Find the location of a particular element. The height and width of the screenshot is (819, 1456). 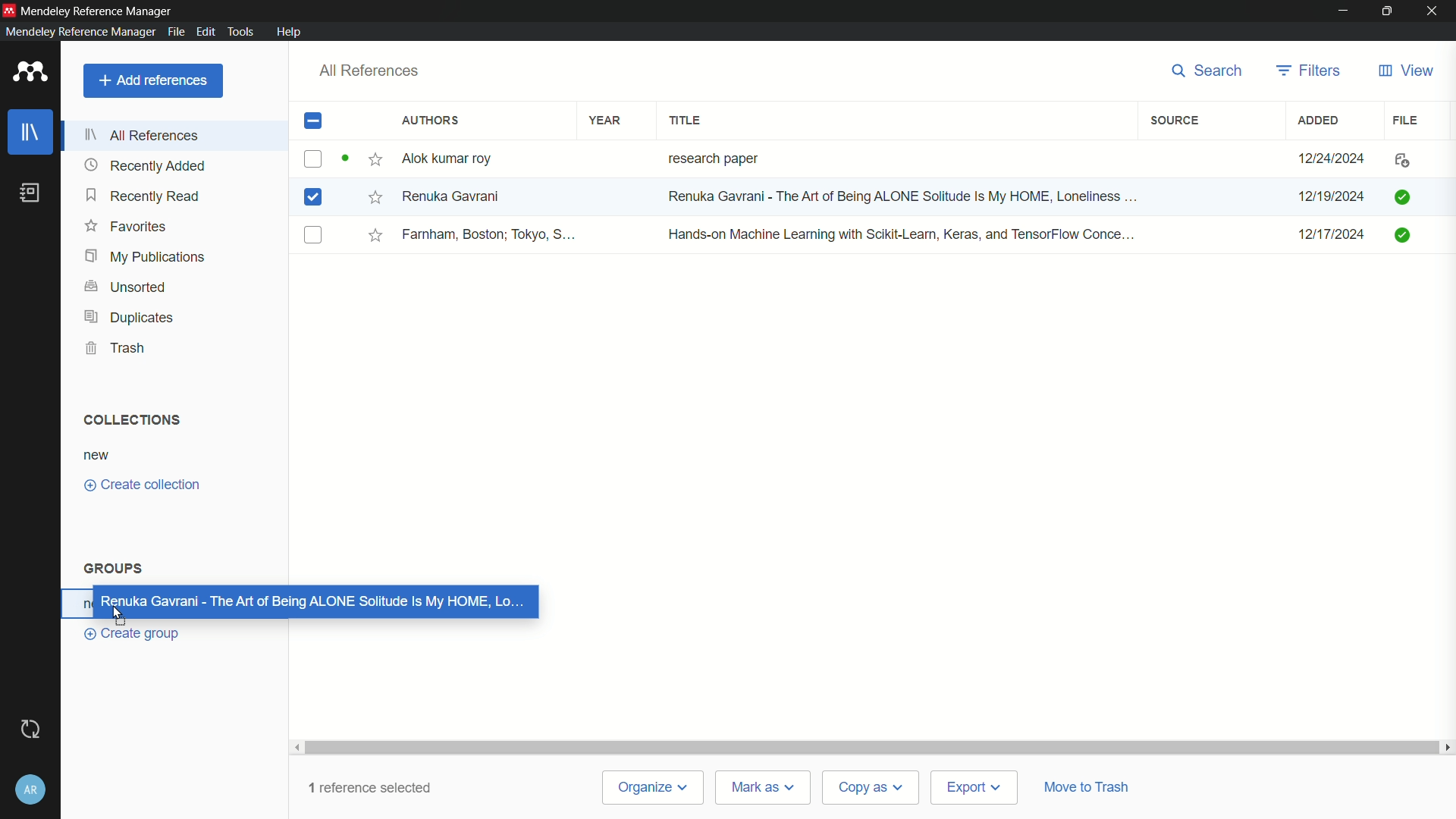

mark as is located at coordinates (759, 786).